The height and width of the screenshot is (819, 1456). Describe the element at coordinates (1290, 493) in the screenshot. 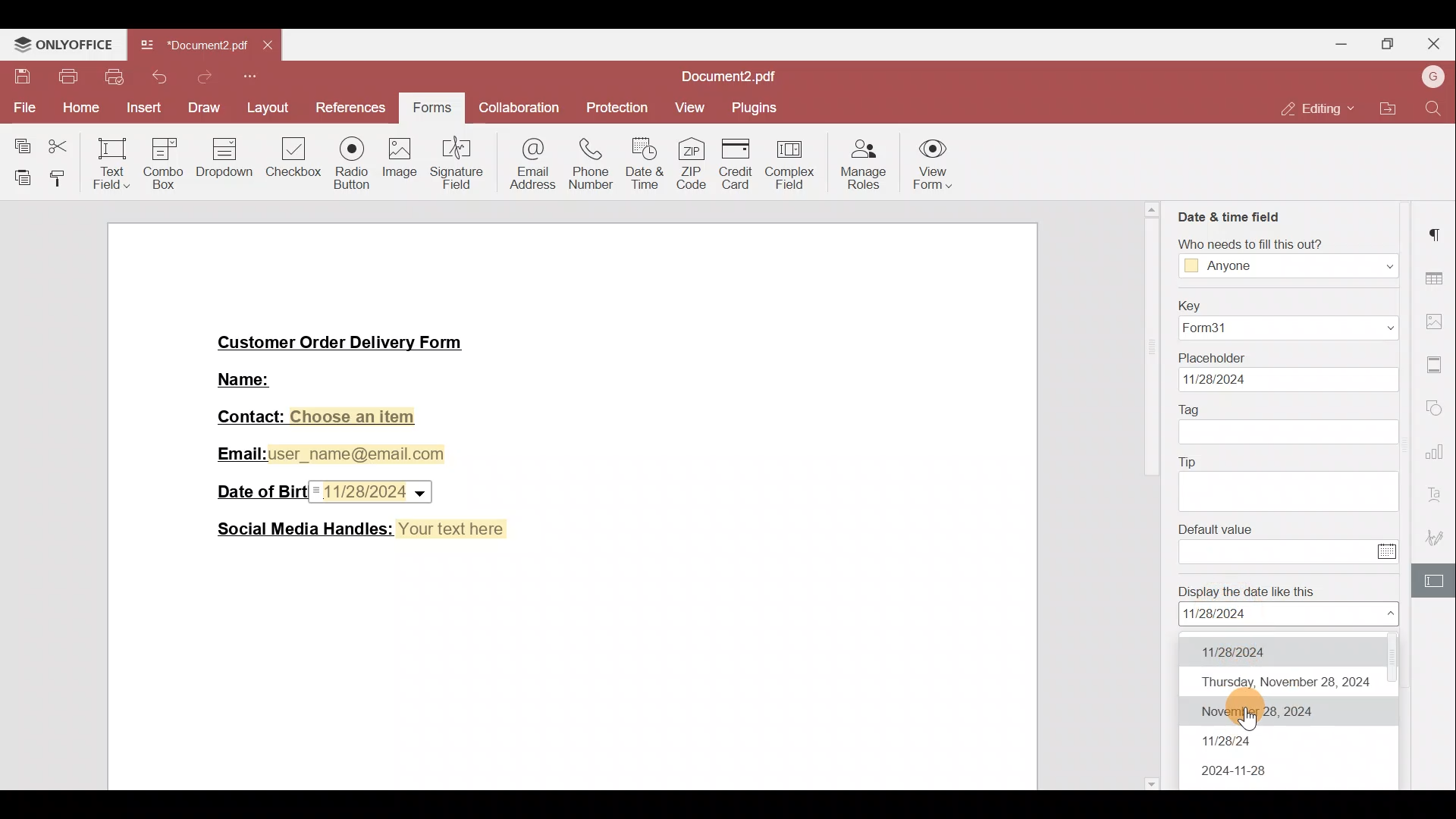

I see `tip` at that location.